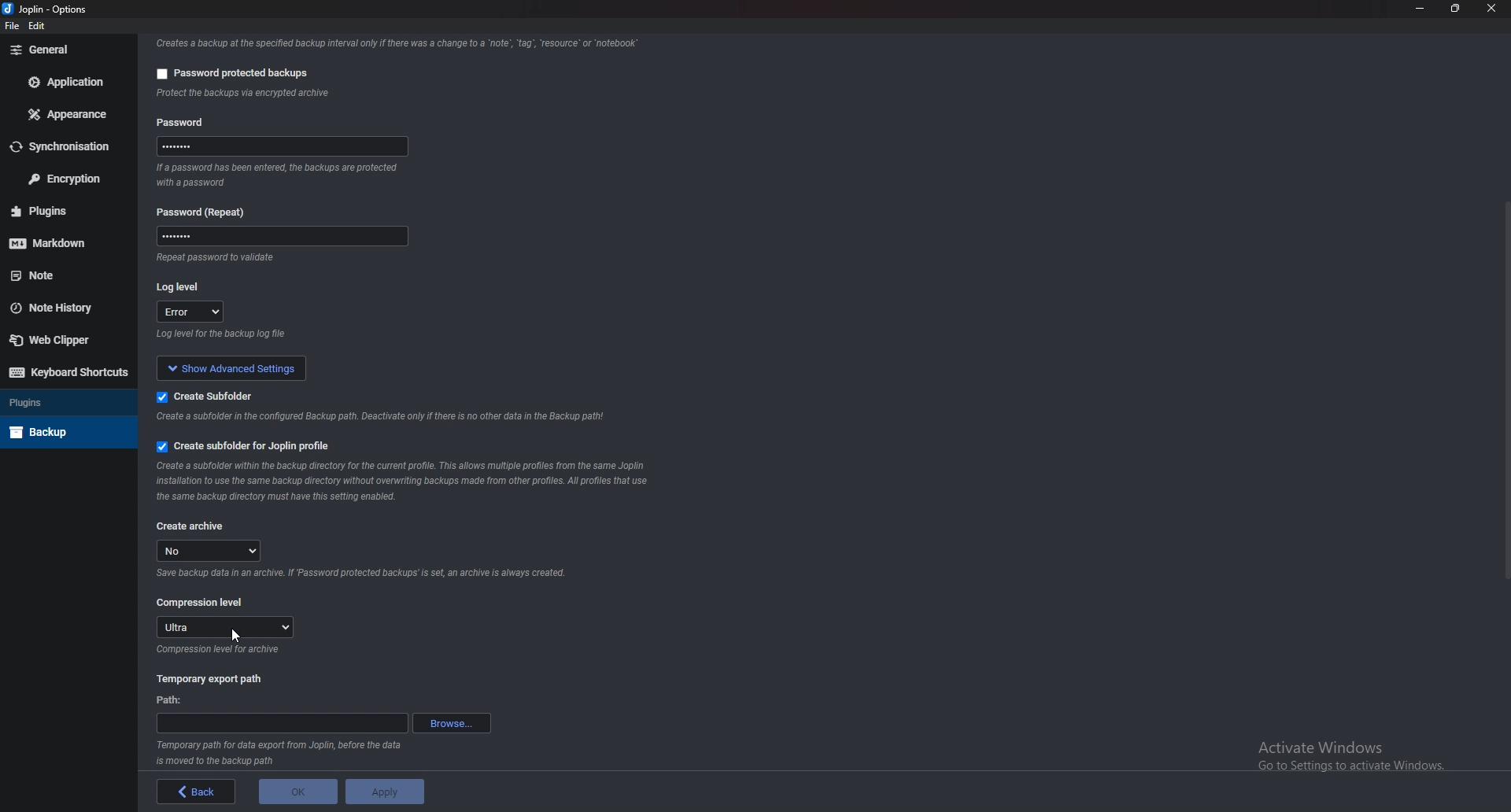 This screenshot has height=812, width=1511. I want to click on no, so click(212, 551).